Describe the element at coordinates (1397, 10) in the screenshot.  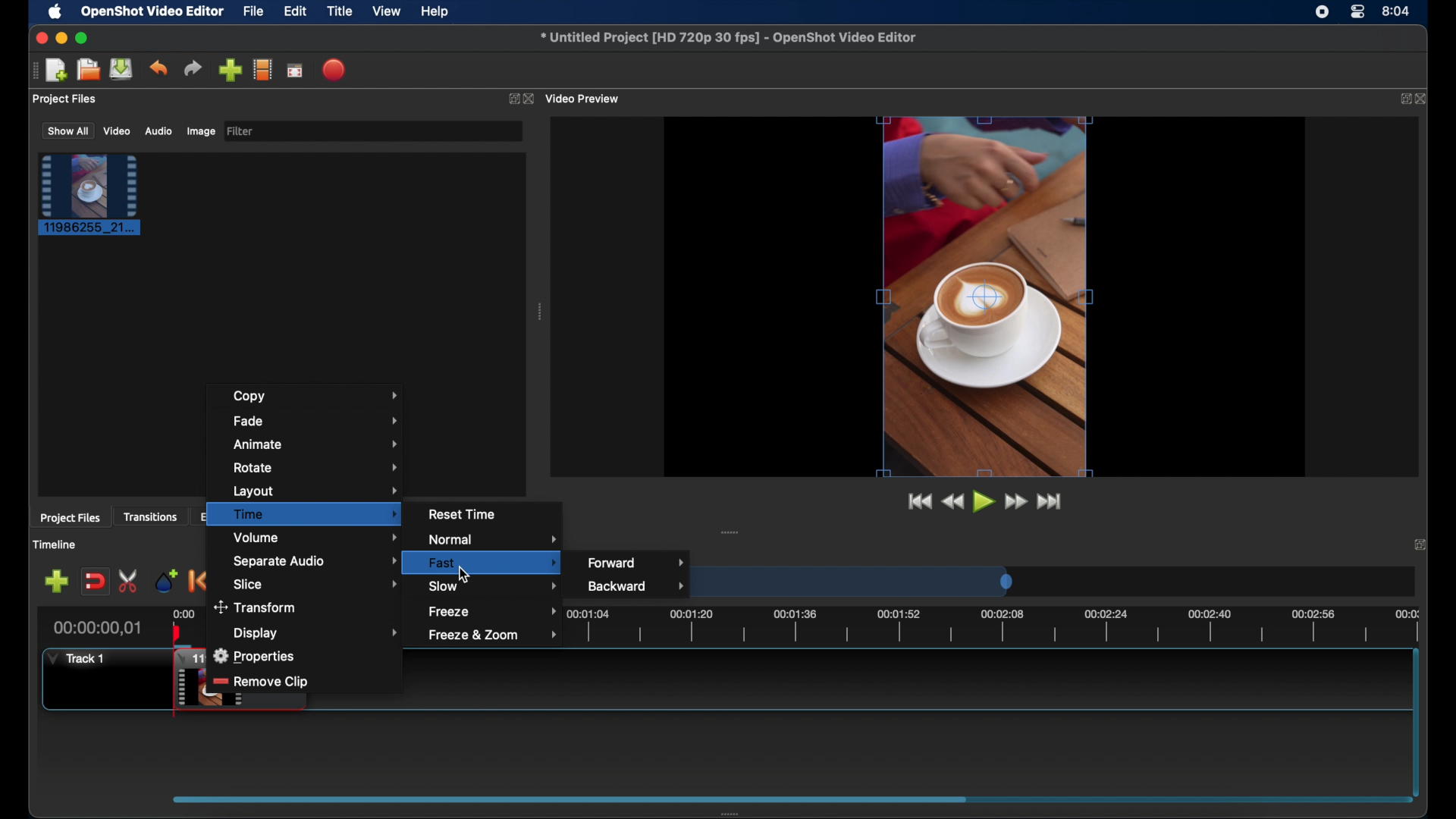
I see `time` at that location.